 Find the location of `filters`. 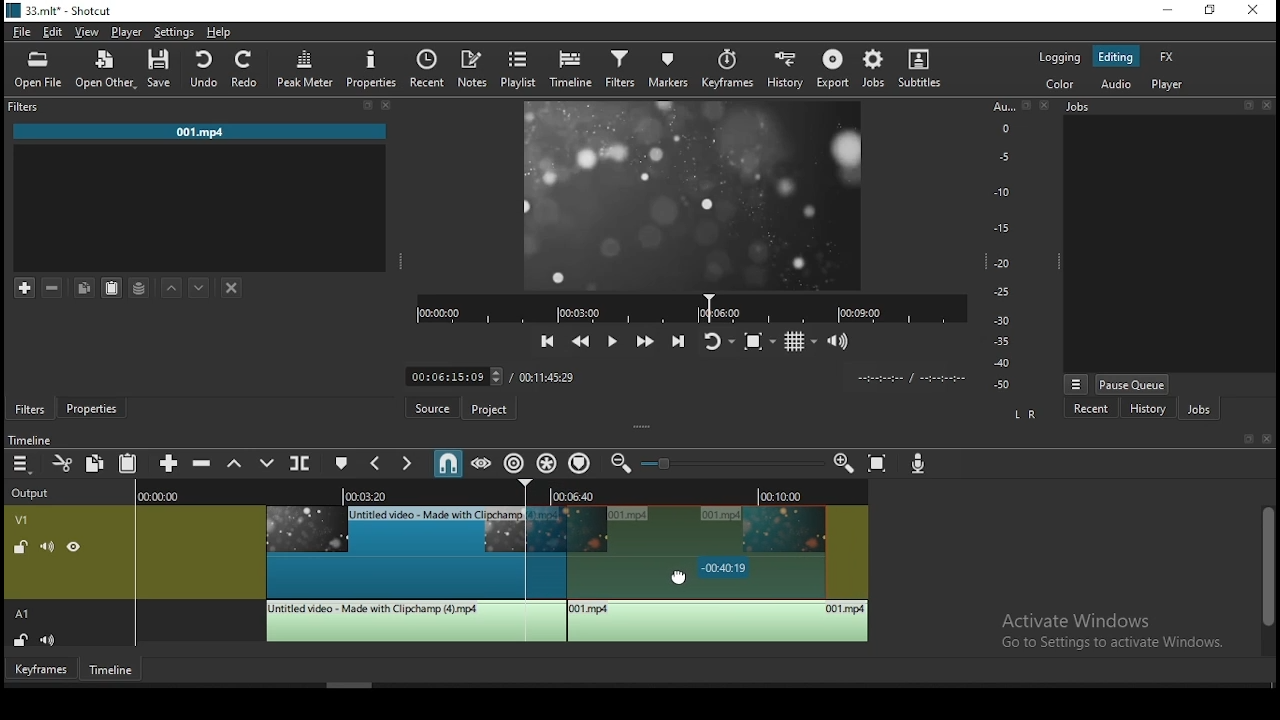

filters is located at coordinates (619, 70).